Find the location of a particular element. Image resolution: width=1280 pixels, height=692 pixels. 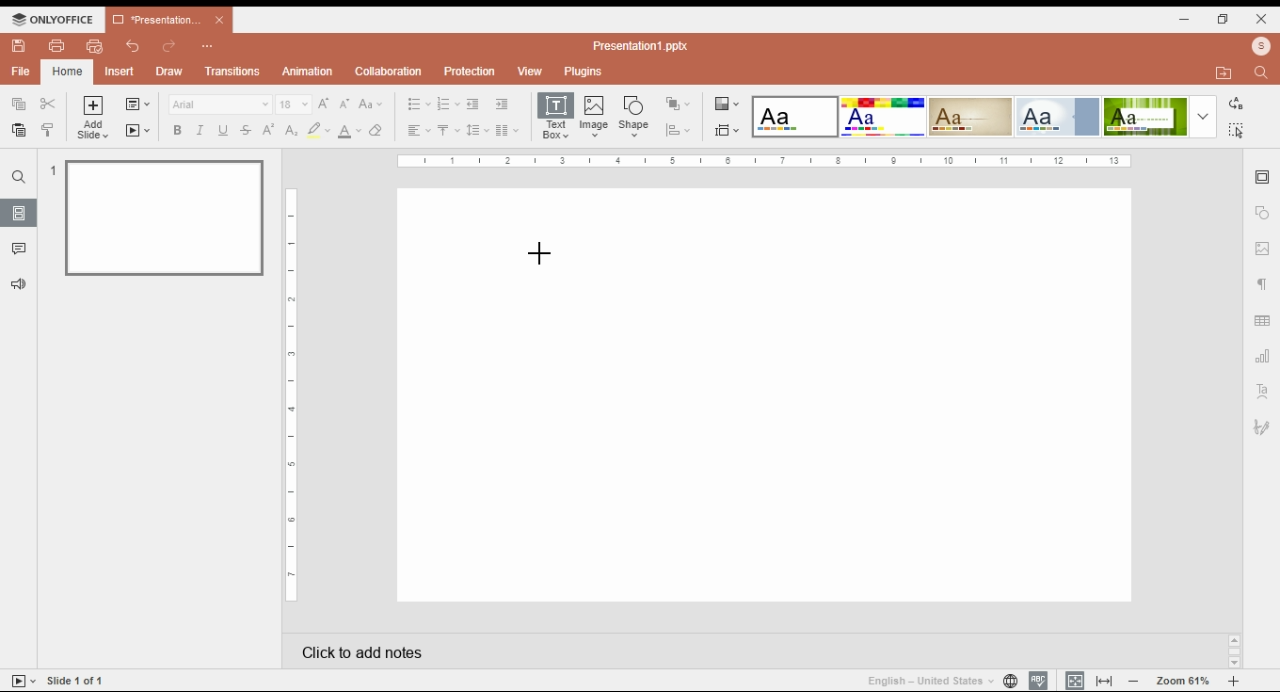

font size is located at coordinates (293, 104).